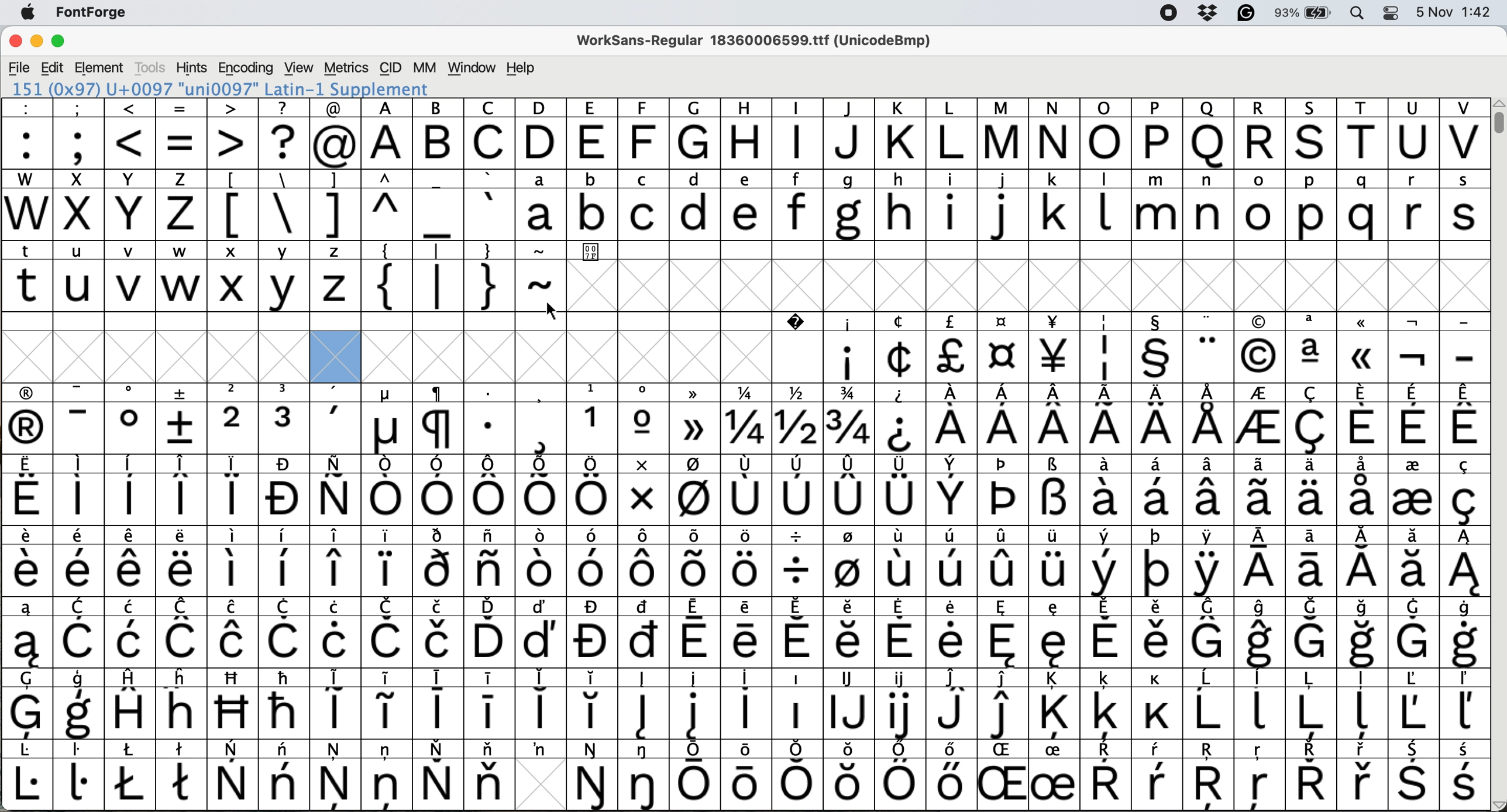 This screenshot has width=1507, height=812. Describe the element at coordinates (183, 703) in the screenshot. I see `` at that location.